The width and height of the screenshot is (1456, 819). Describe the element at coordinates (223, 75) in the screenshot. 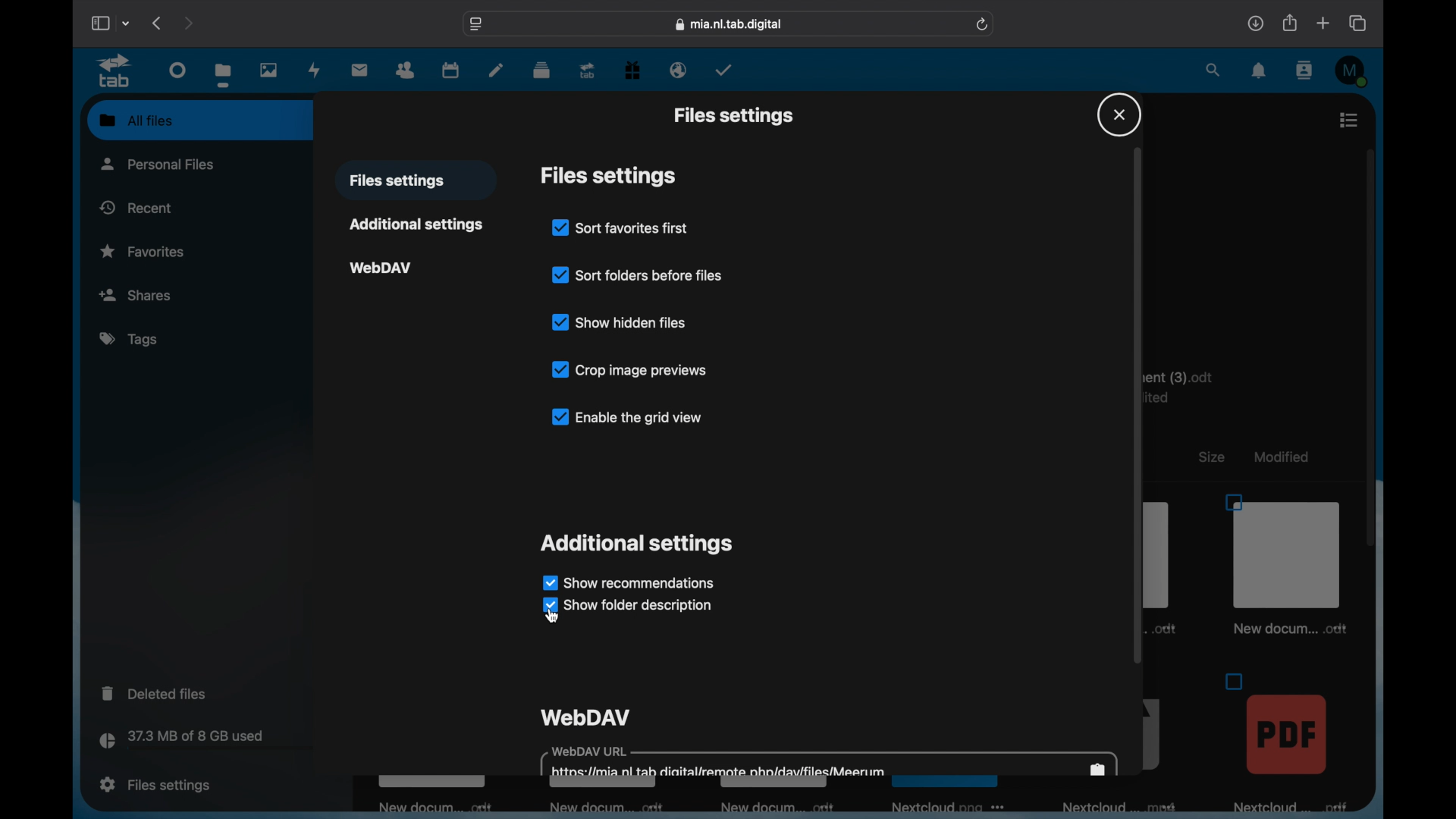

I see `files` at that location.